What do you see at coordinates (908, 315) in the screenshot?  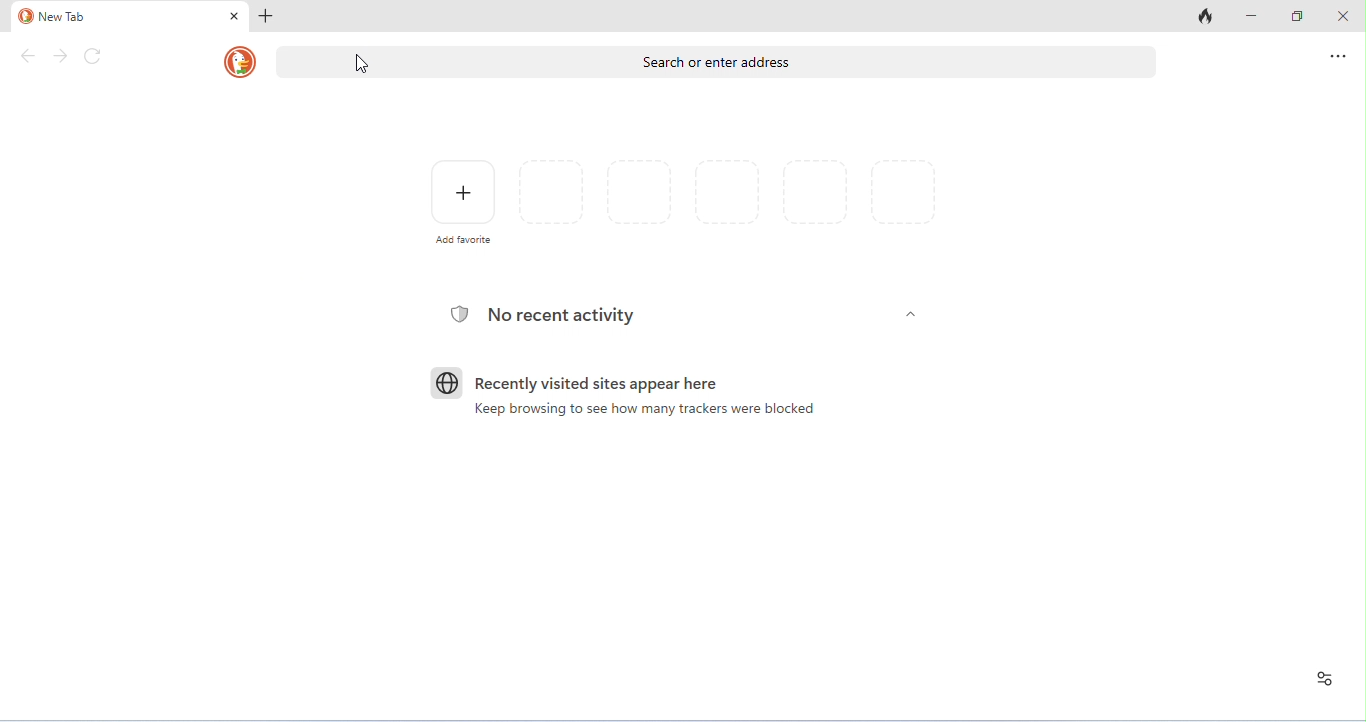 I see `` at bounding box center [908, 315].